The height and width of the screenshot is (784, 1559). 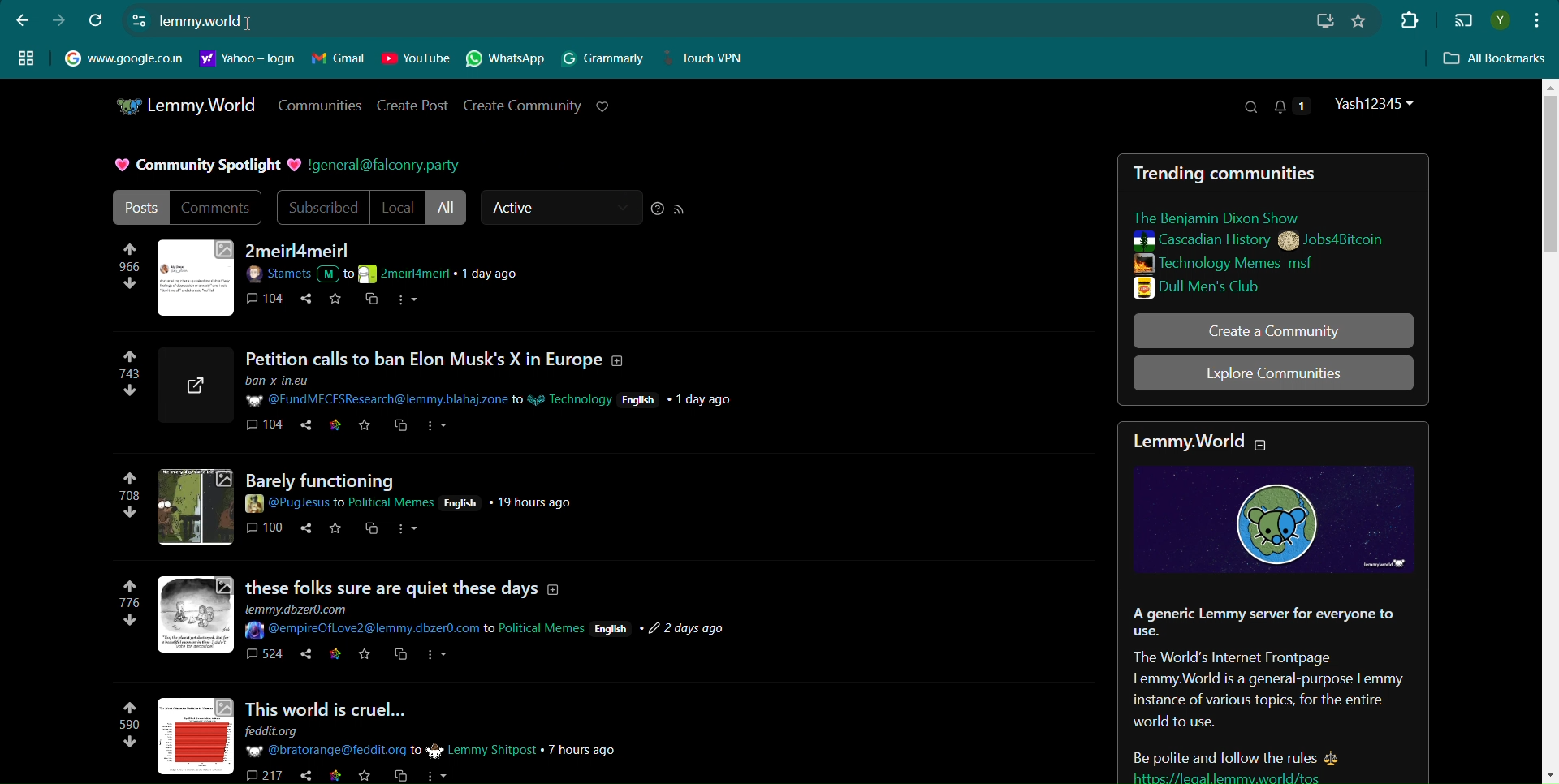 I want to click on feddit.org, so click(x=283, y=731).